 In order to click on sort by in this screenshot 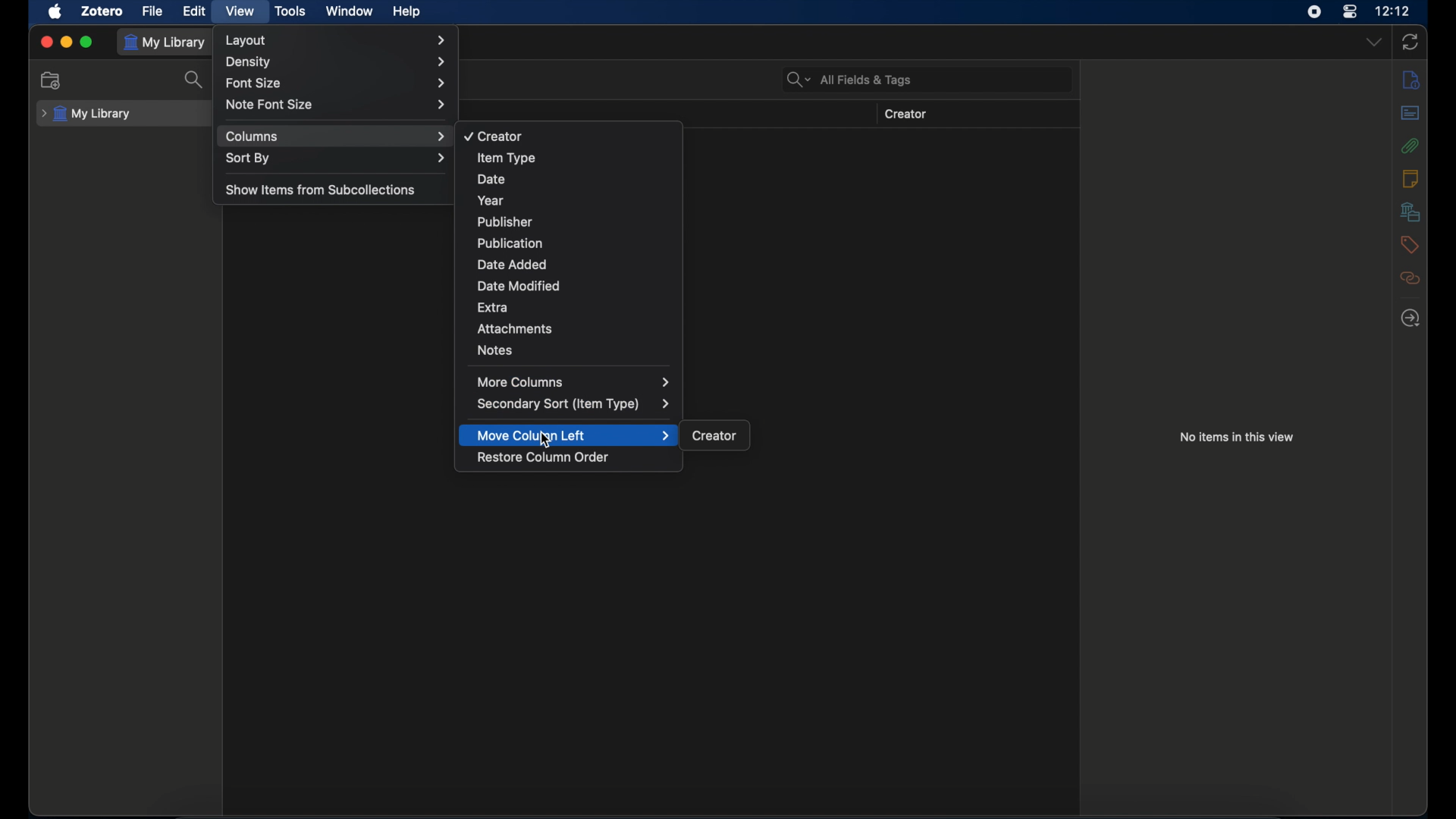, I will do `click(336, 158)`.